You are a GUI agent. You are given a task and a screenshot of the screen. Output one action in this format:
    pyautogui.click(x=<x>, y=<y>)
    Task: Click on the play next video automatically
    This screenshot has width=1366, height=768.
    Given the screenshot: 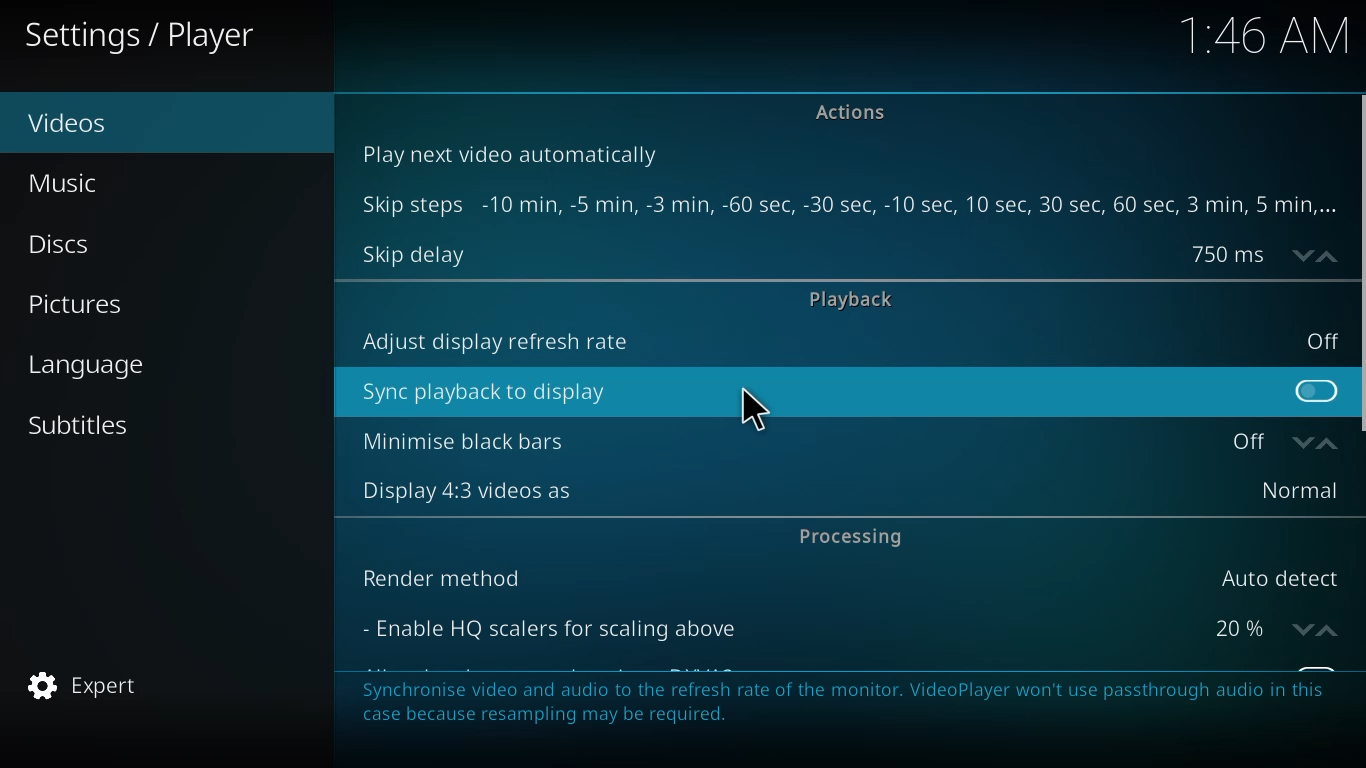 What is the action you would take?
    pyautogui.click(x=512, y=155)
    